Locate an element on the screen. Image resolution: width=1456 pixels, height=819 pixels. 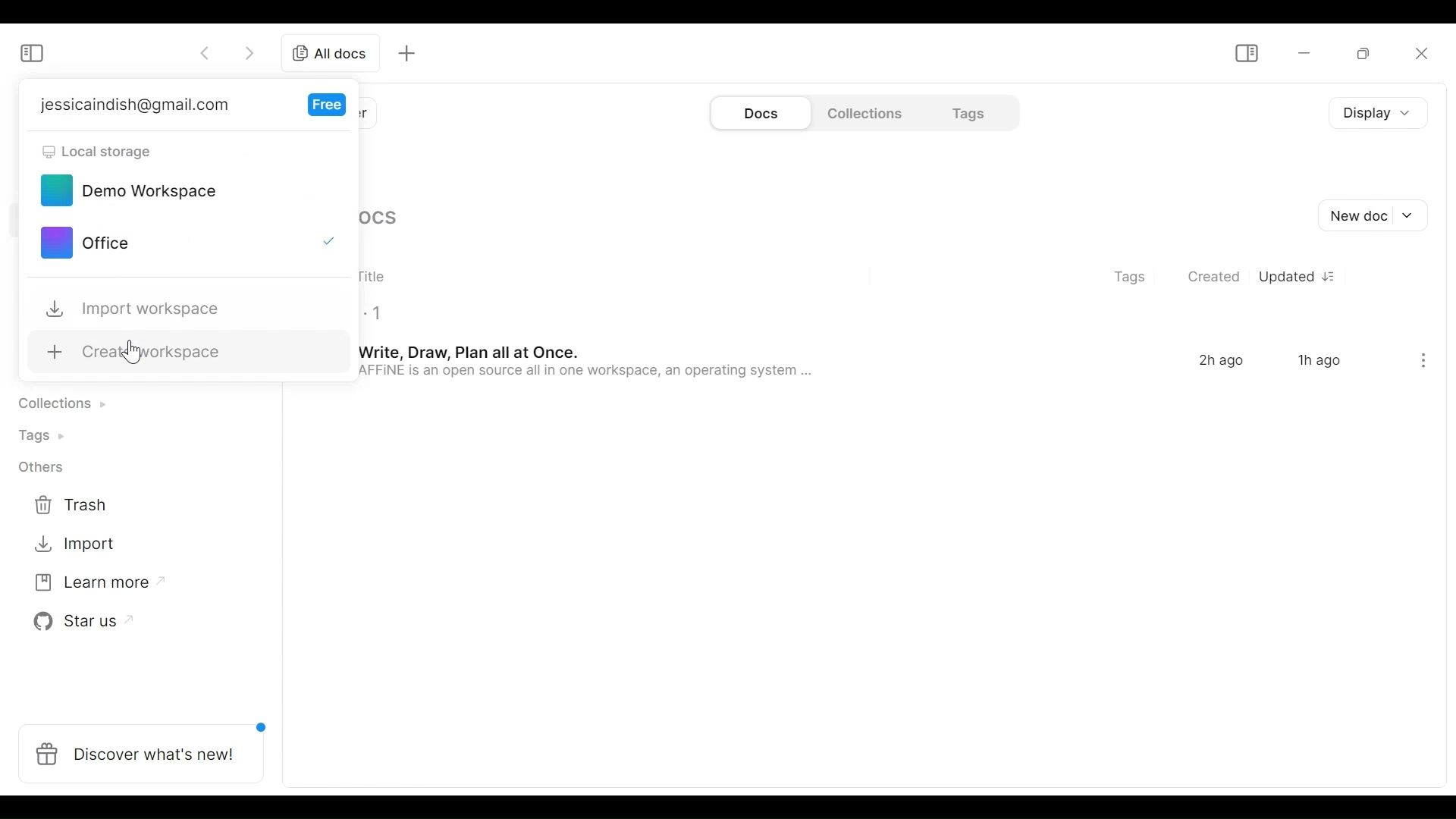
Display is located at coordinates (1377, 115).